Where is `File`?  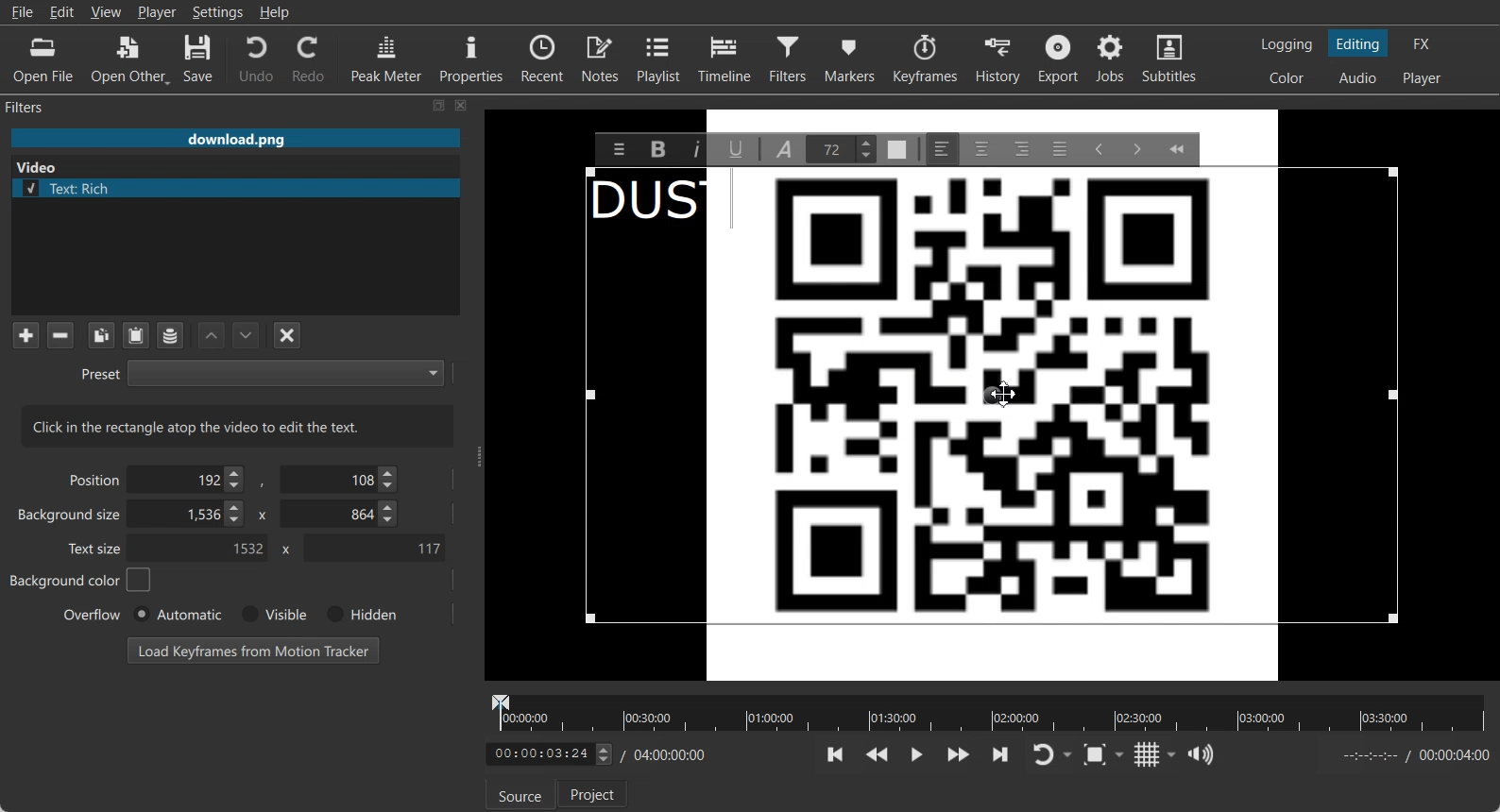
File is located at coordinates (22, 12).